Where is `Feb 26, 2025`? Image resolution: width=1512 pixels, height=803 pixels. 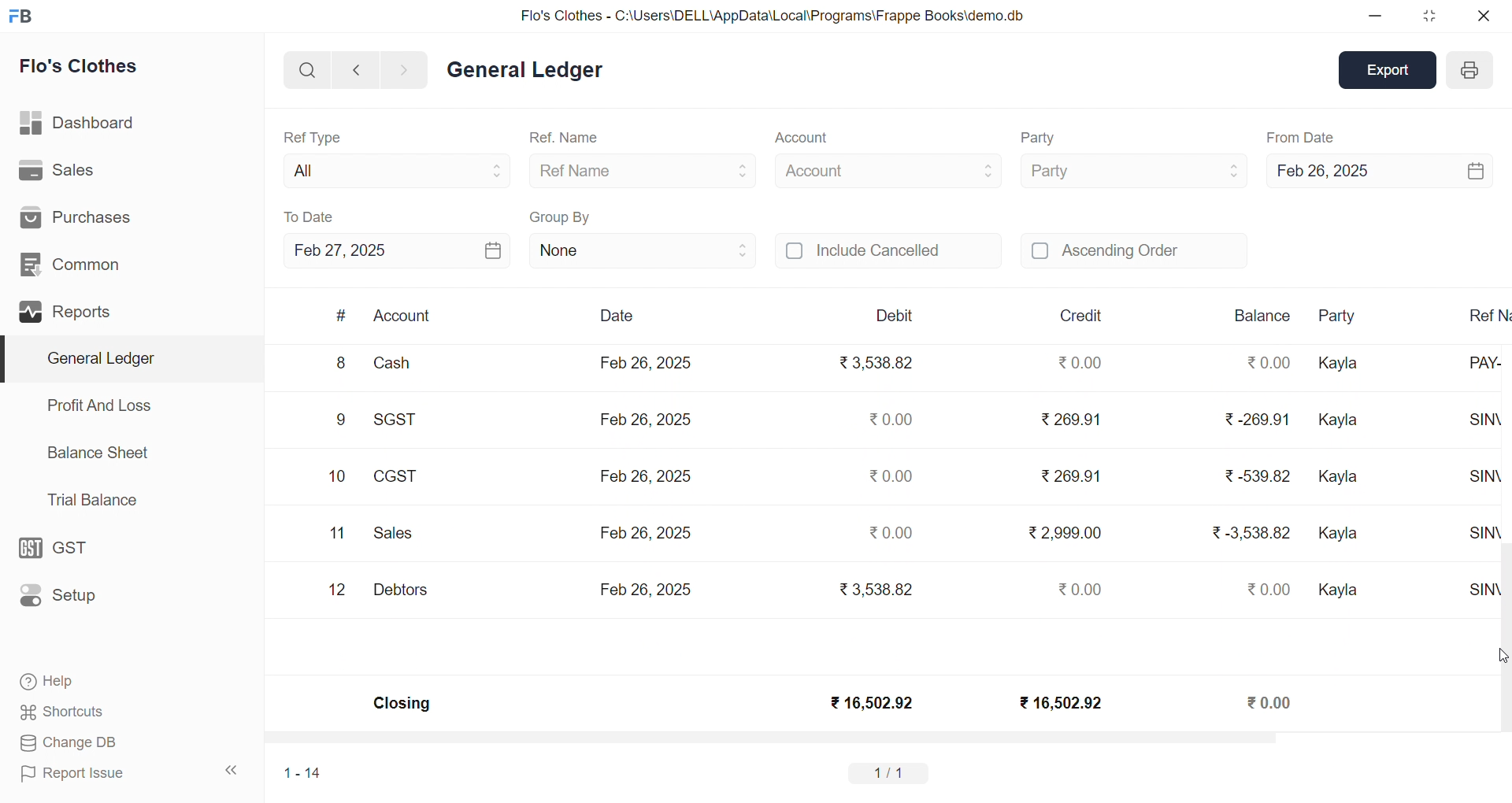
Feb 26, 2025 is located at coordinates (646, 473).